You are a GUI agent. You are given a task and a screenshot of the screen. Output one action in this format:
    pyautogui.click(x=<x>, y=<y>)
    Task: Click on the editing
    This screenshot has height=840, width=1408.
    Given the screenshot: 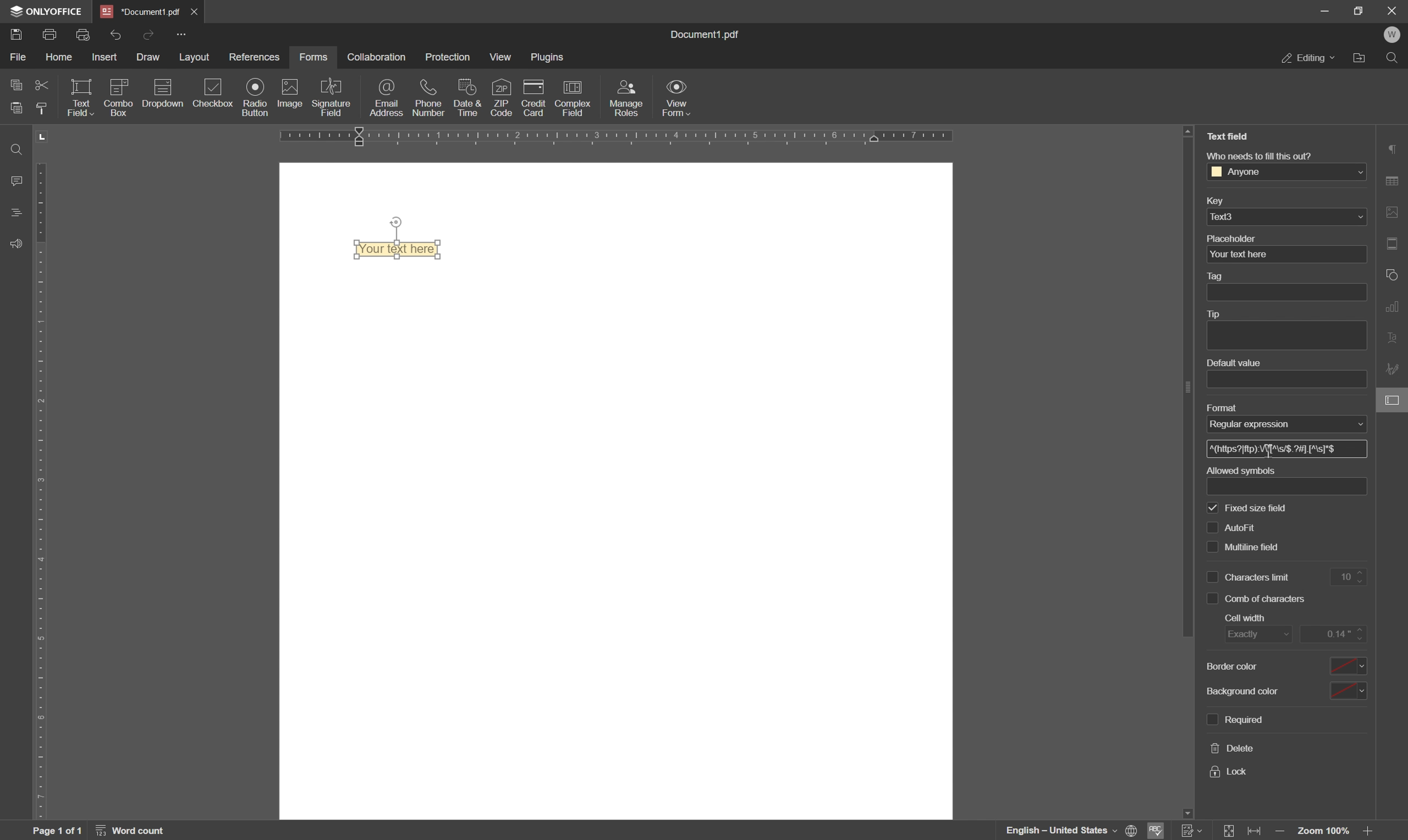 What is the action you would take?
    pyautogui.click(x=1308, y=59)
    